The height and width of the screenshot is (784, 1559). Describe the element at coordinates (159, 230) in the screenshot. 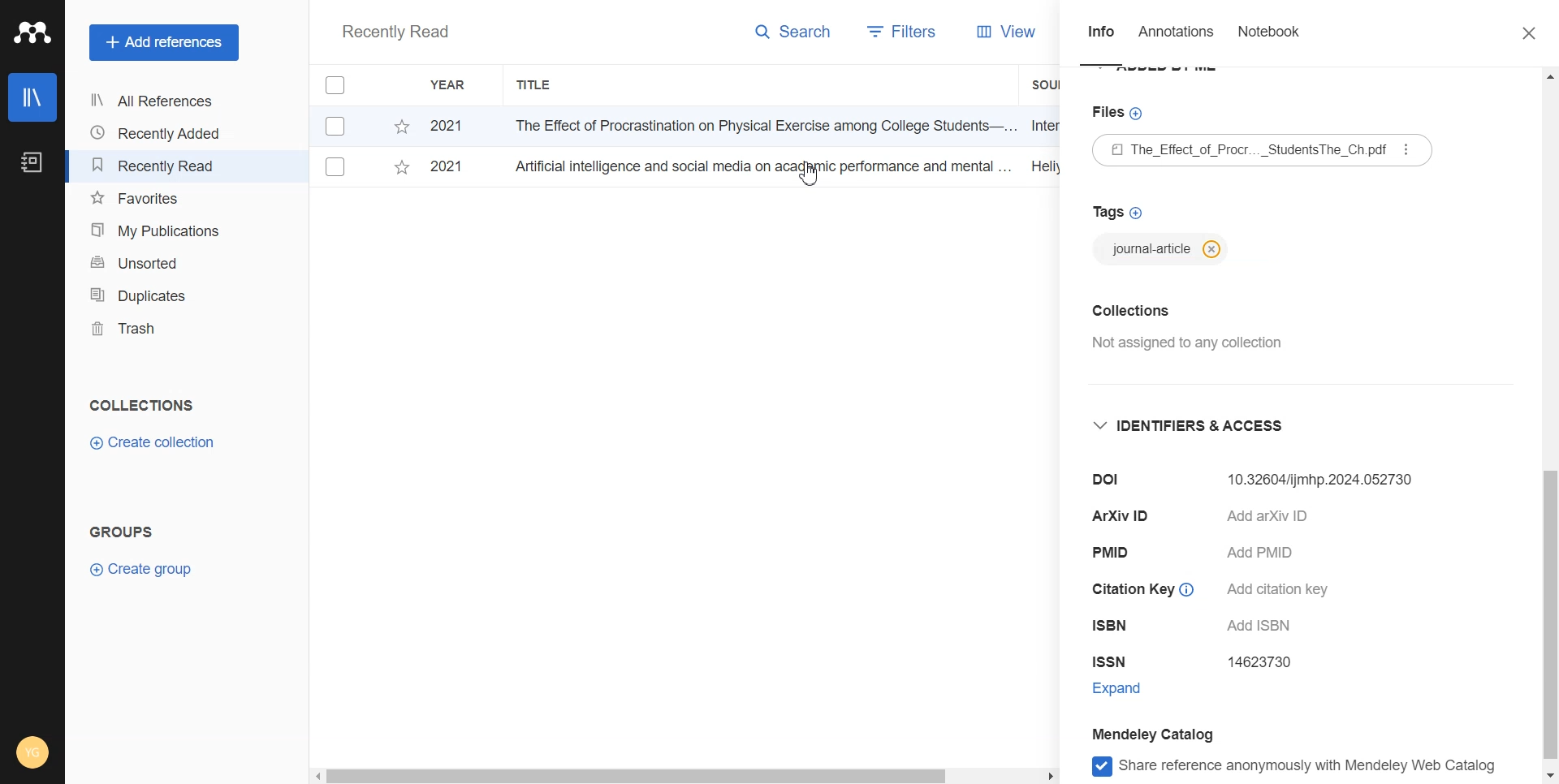

I see `My Publications` at that location.